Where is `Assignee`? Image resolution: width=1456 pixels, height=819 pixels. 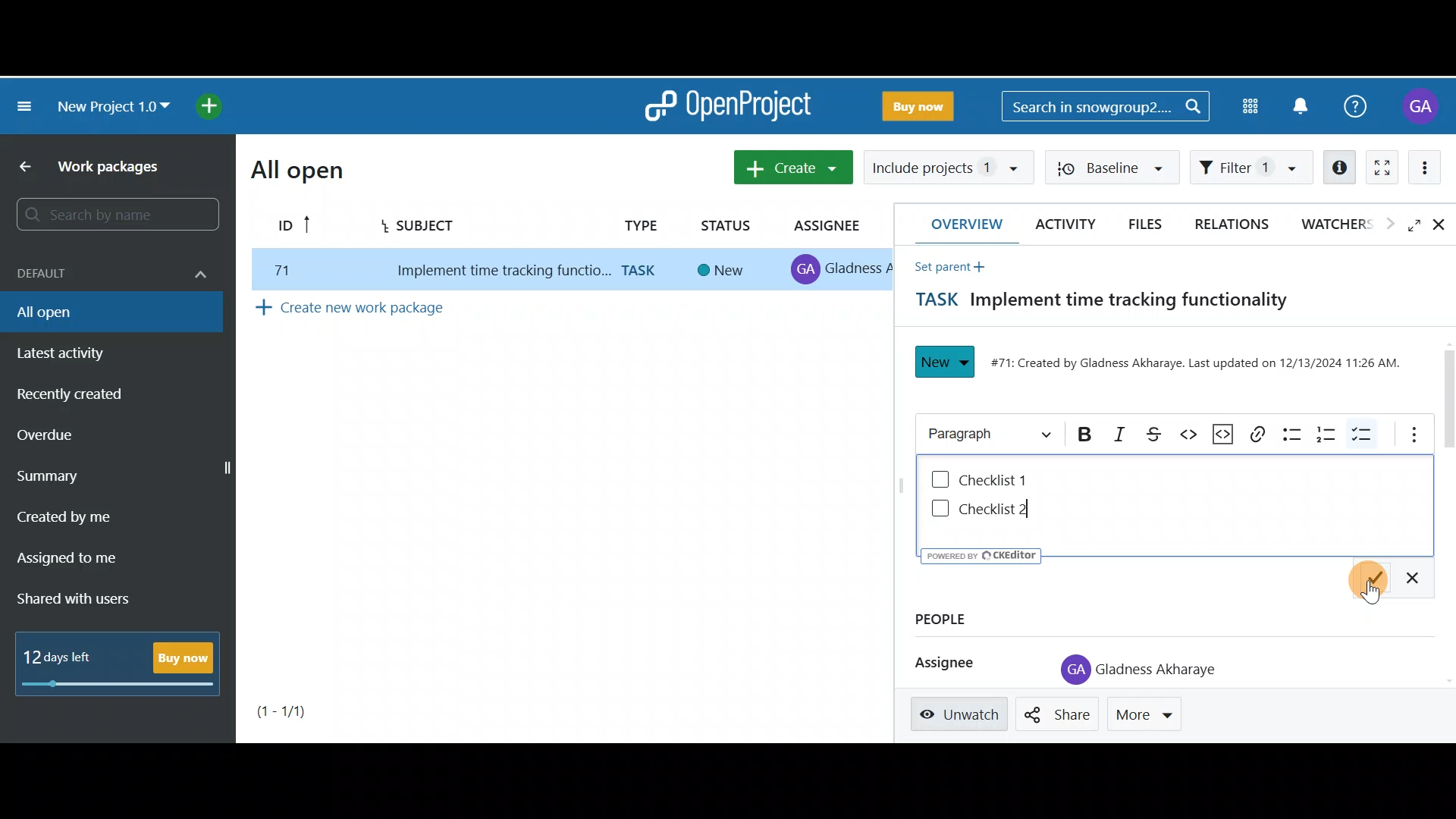 Assignee is located at coordinates (939, 661).